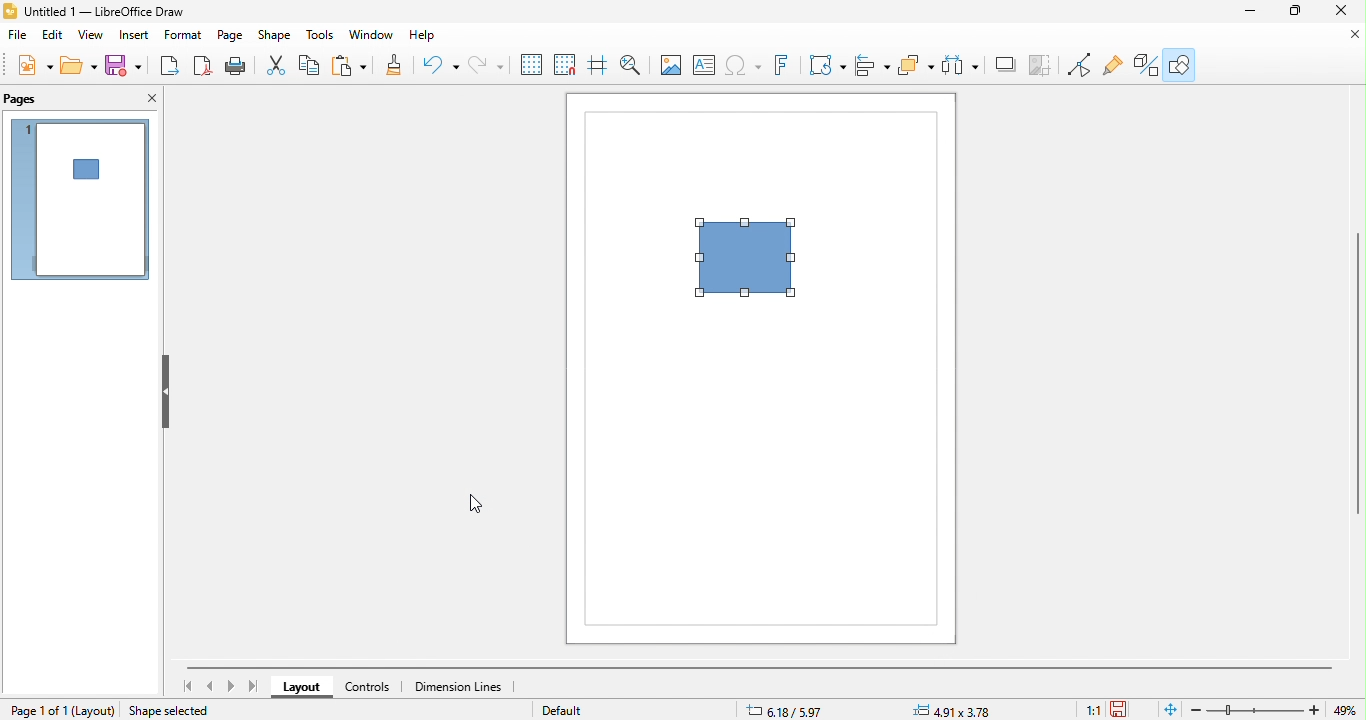  I want to click on page 1 of 1, so click(38, 710).